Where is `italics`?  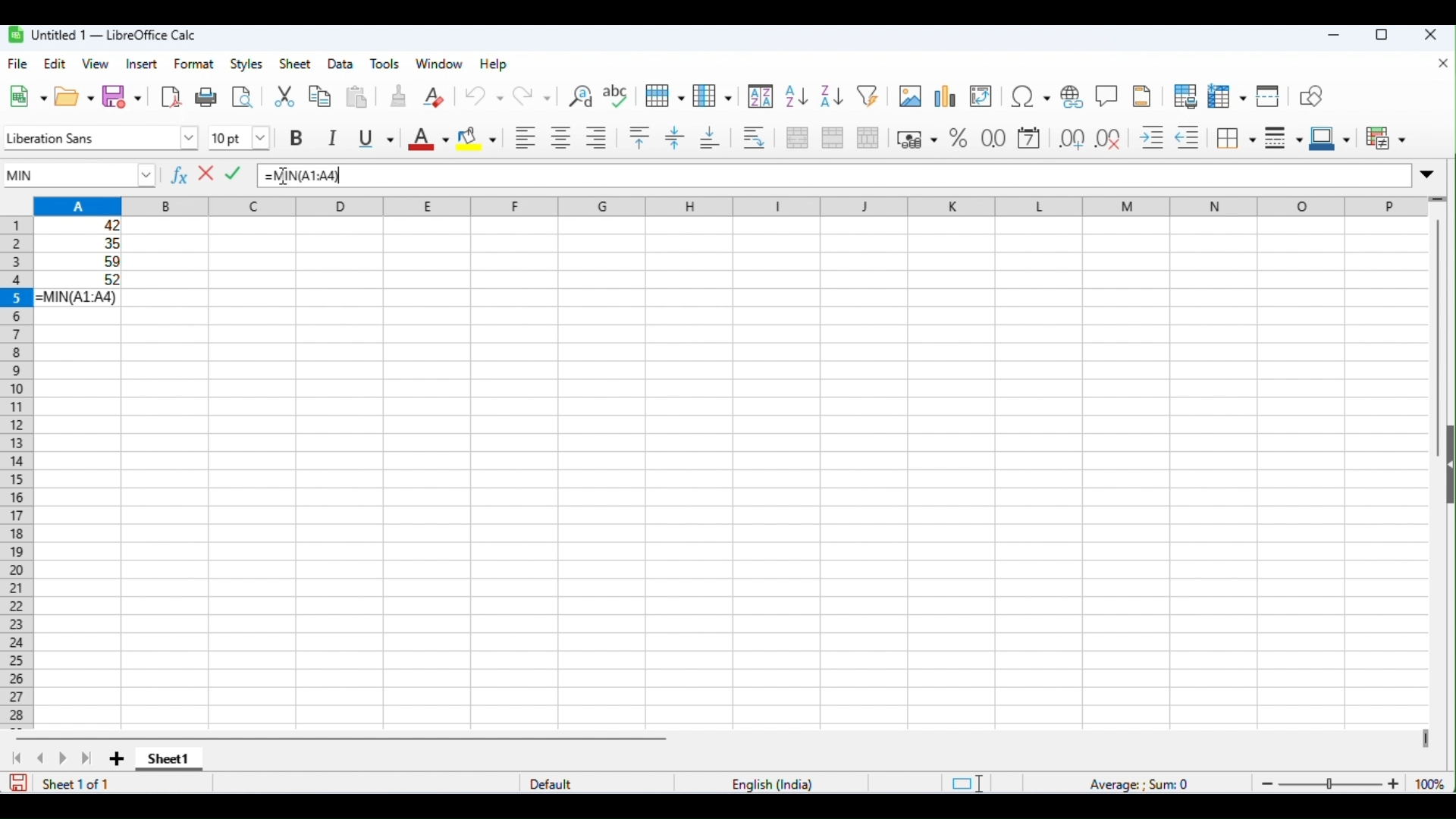 italics is located at coordinates (334, 138).